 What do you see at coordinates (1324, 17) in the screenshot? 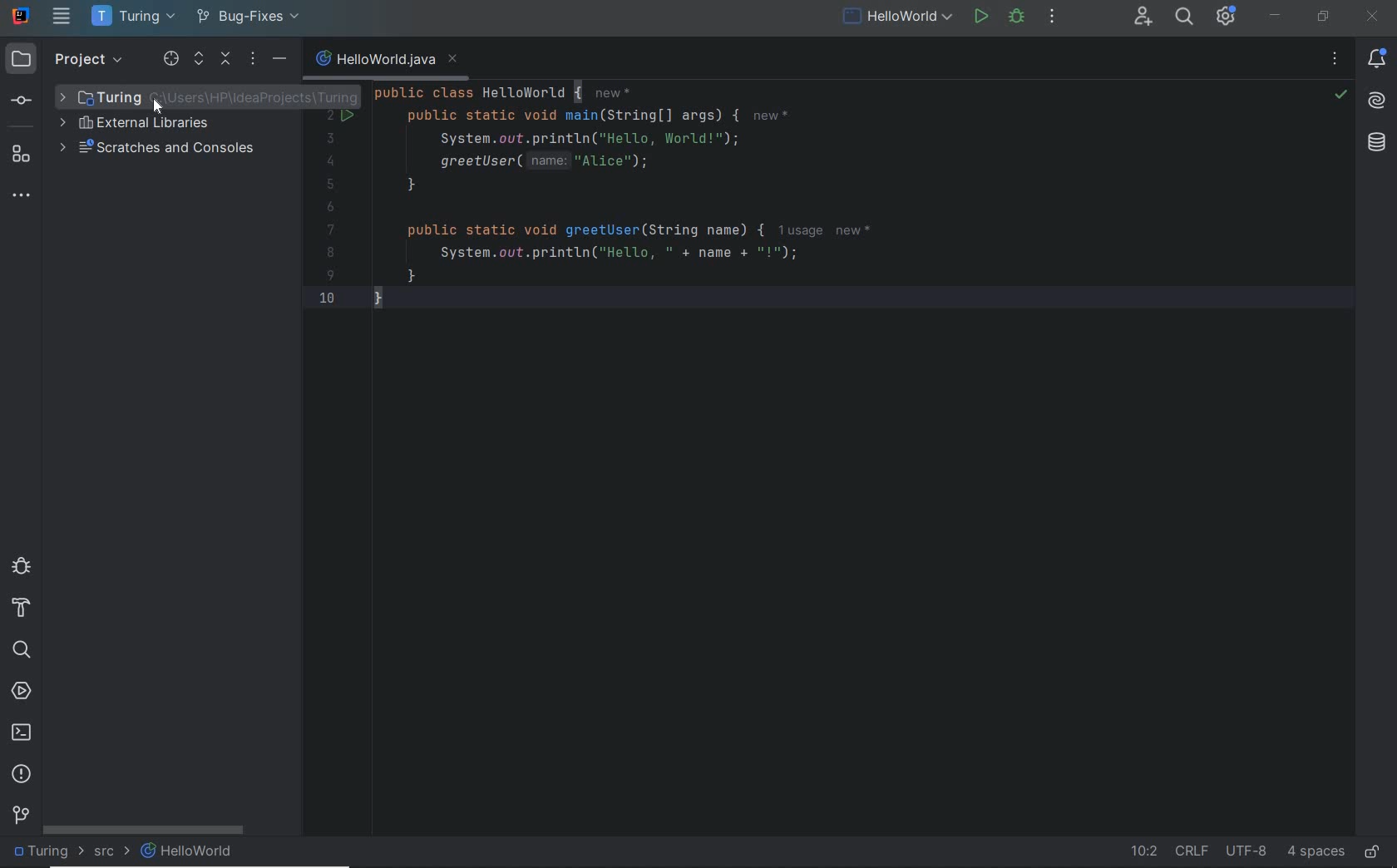
I see `restore down` at bounding box center [1324, 17].